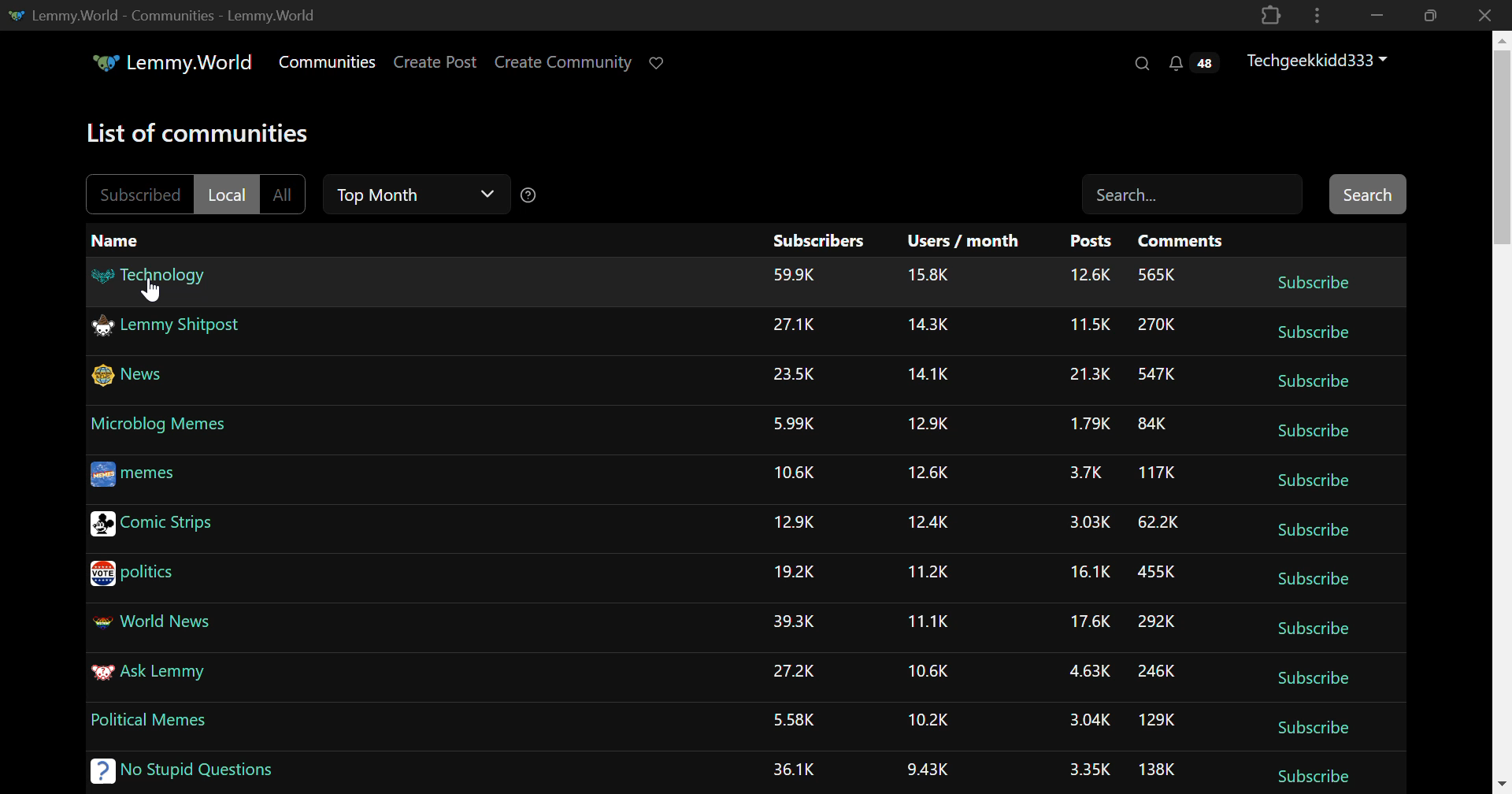 The height and width of the screenshot is (794, 1512). Describe the element at coordinates (926, 722) in the screenshot. I see `10.2K` at that location.